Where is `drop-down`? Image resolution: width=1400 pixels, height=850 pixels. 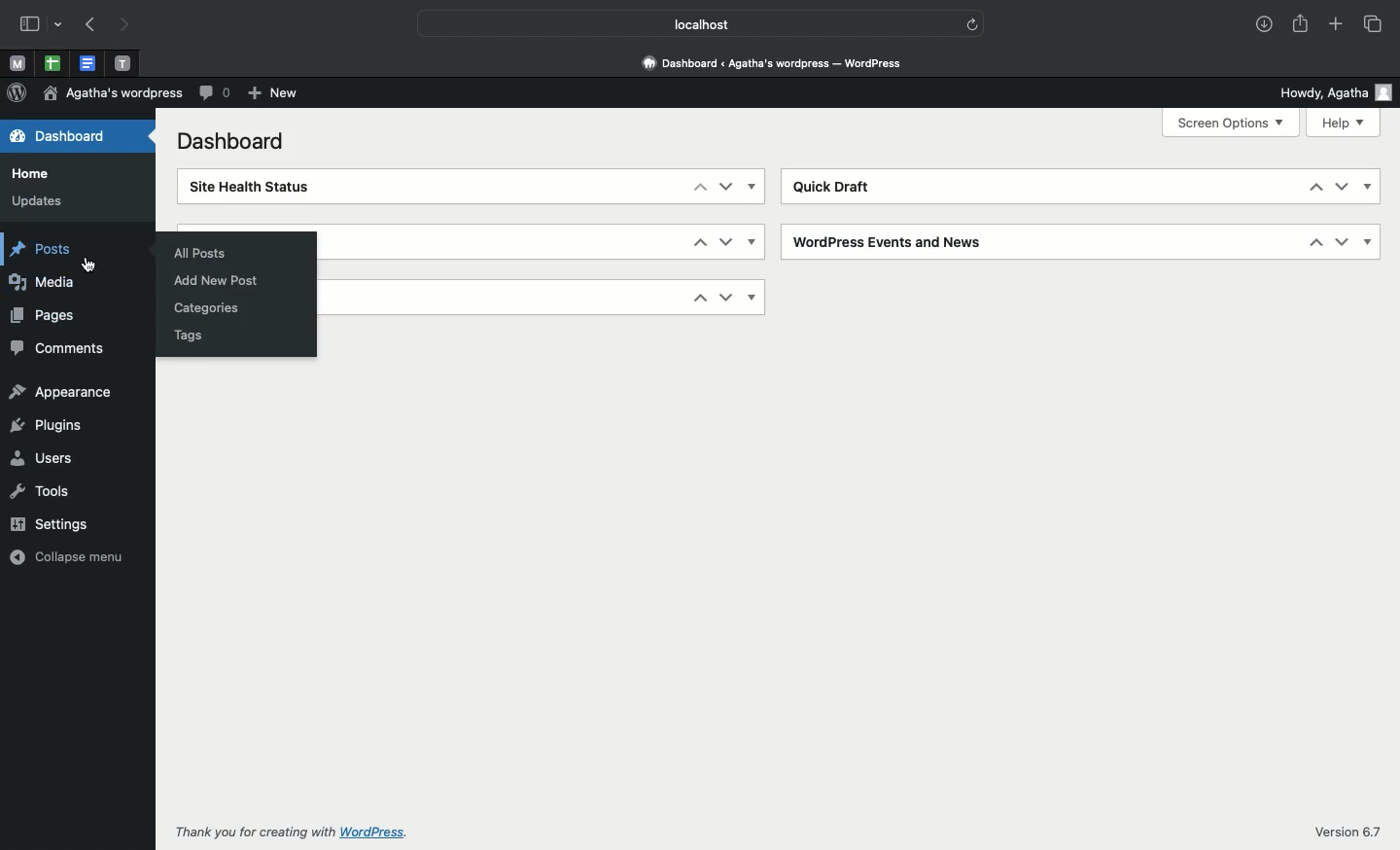 drop-down is located at coordinates (60, 22).